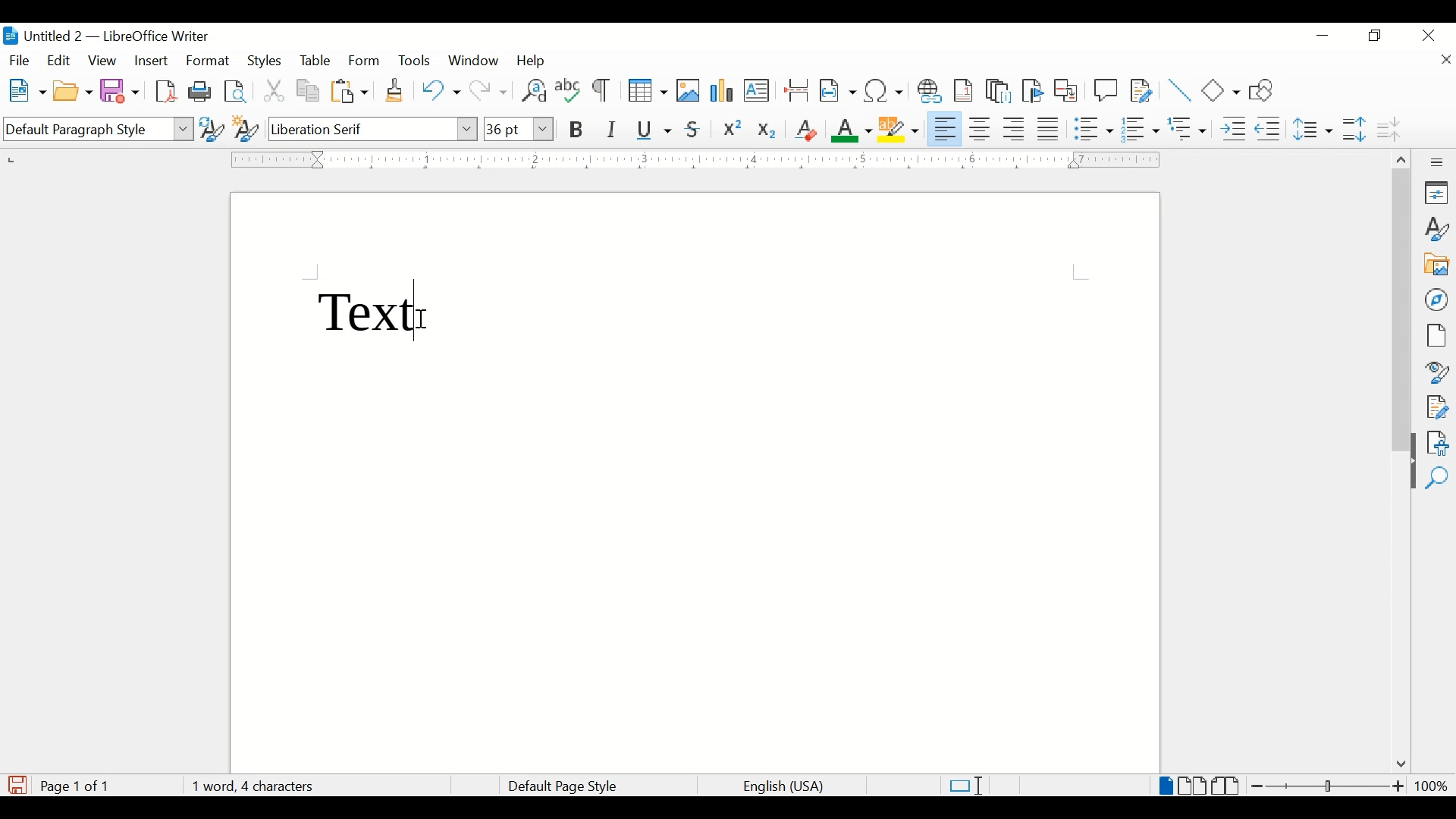 Image resolution: width=1456 pixels, height=819 pixels. Describe the element at coordinates (1314, 129) in the screenshot. I see `set line spacing` at that location.